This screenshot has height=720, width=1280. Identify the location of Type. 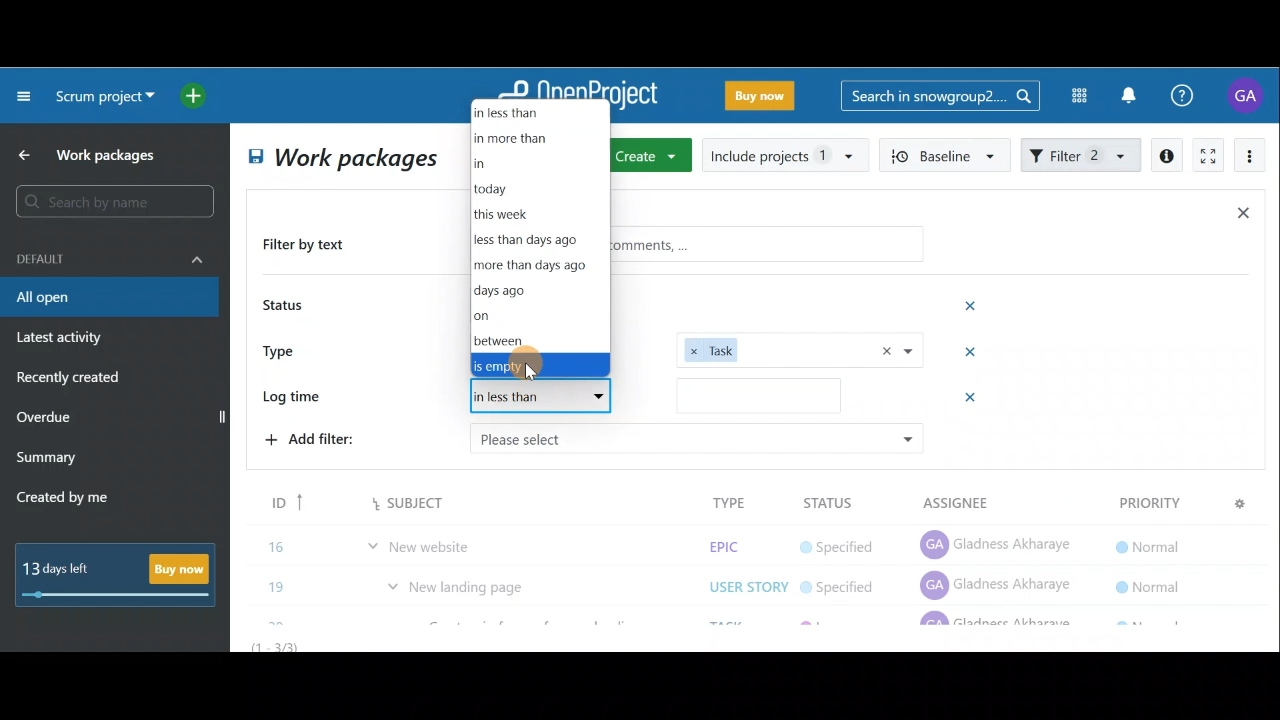
(286, 349).